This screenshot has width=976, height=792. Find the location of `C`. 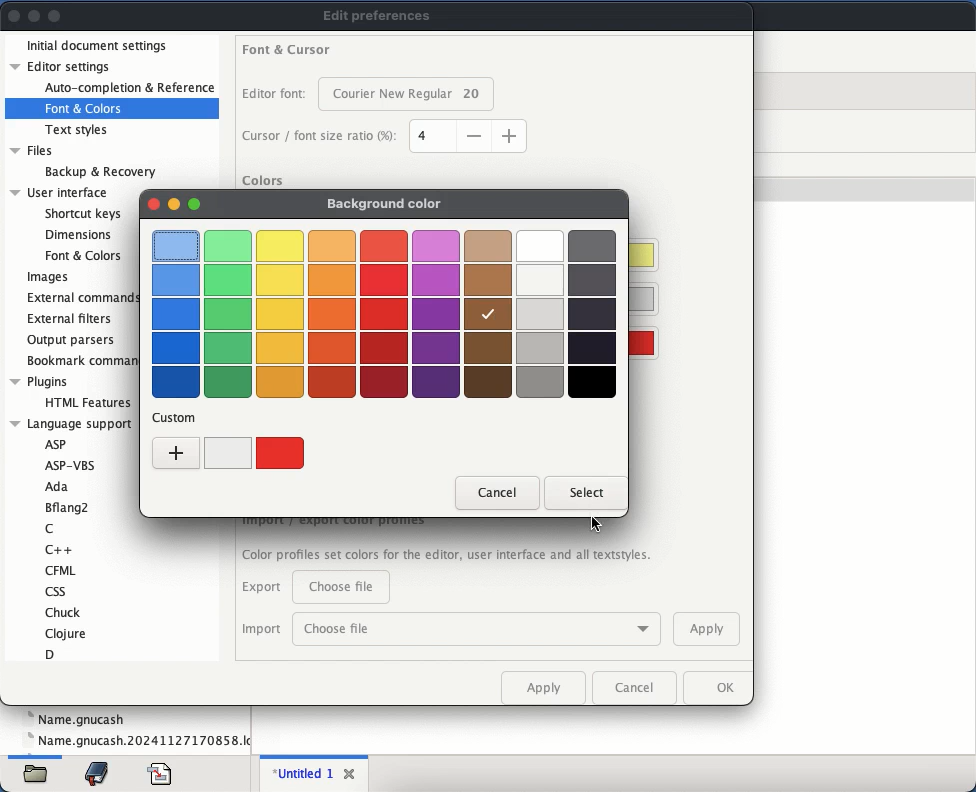

C is located at coordinates (51, 528).